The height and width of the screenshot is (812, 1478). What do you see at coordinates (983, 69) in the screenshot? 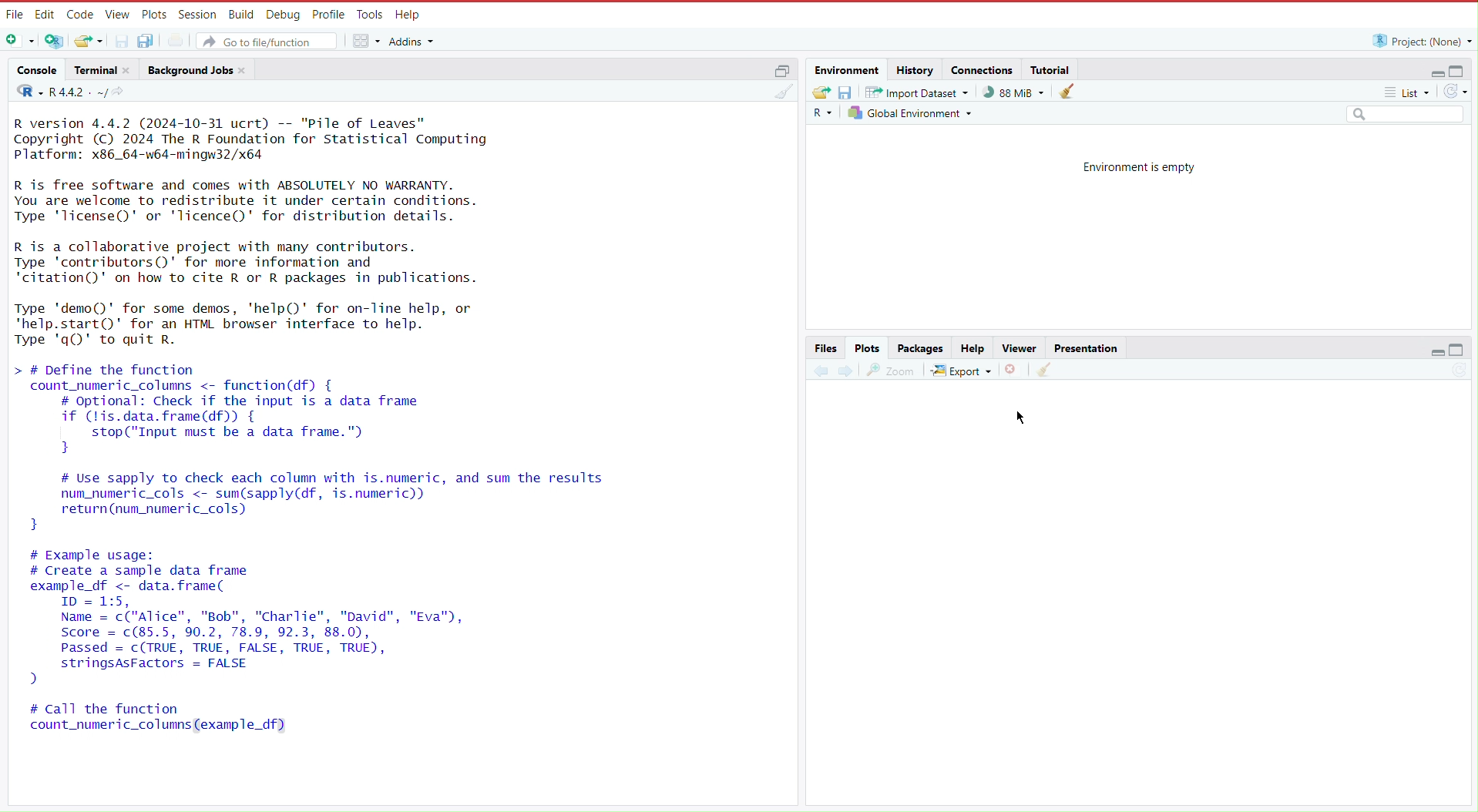
I see `Connections` at bounding box center [983, 69].